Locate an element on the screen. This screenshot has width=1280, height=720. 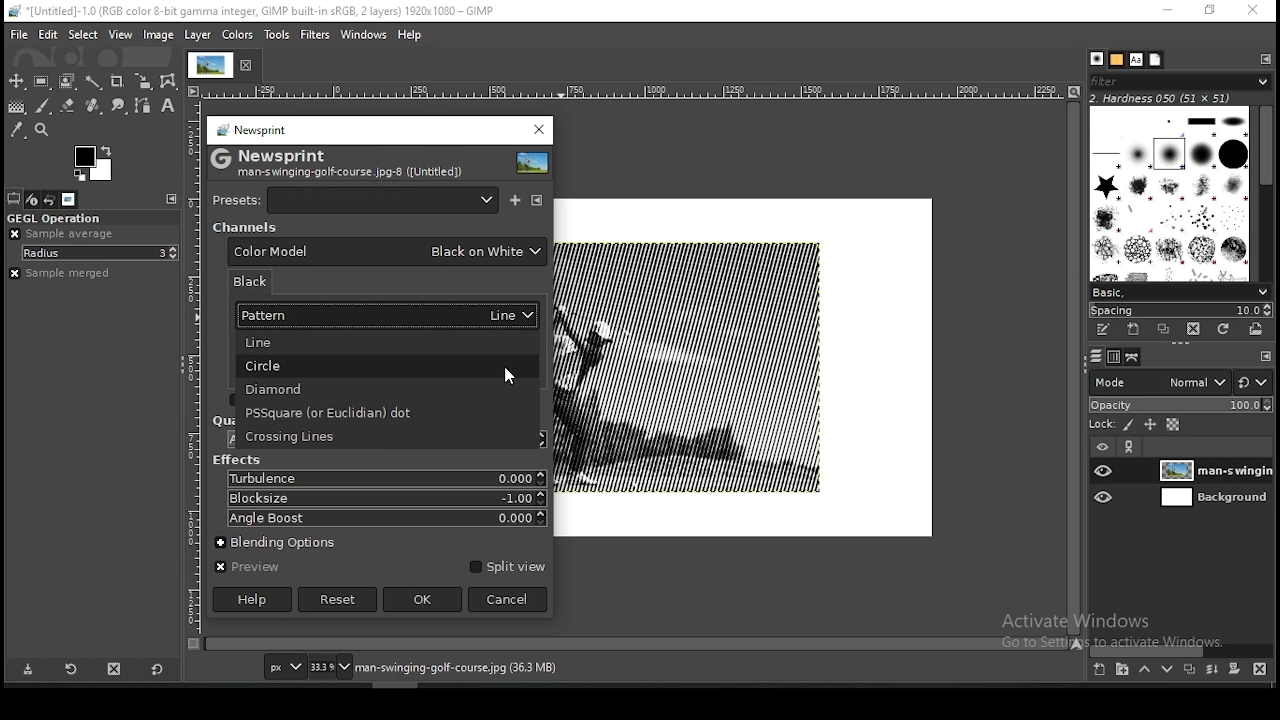
Newsprint man-swinging-golf-course.jpg-8 ([untitled]) is located at coordinates (340, 162).